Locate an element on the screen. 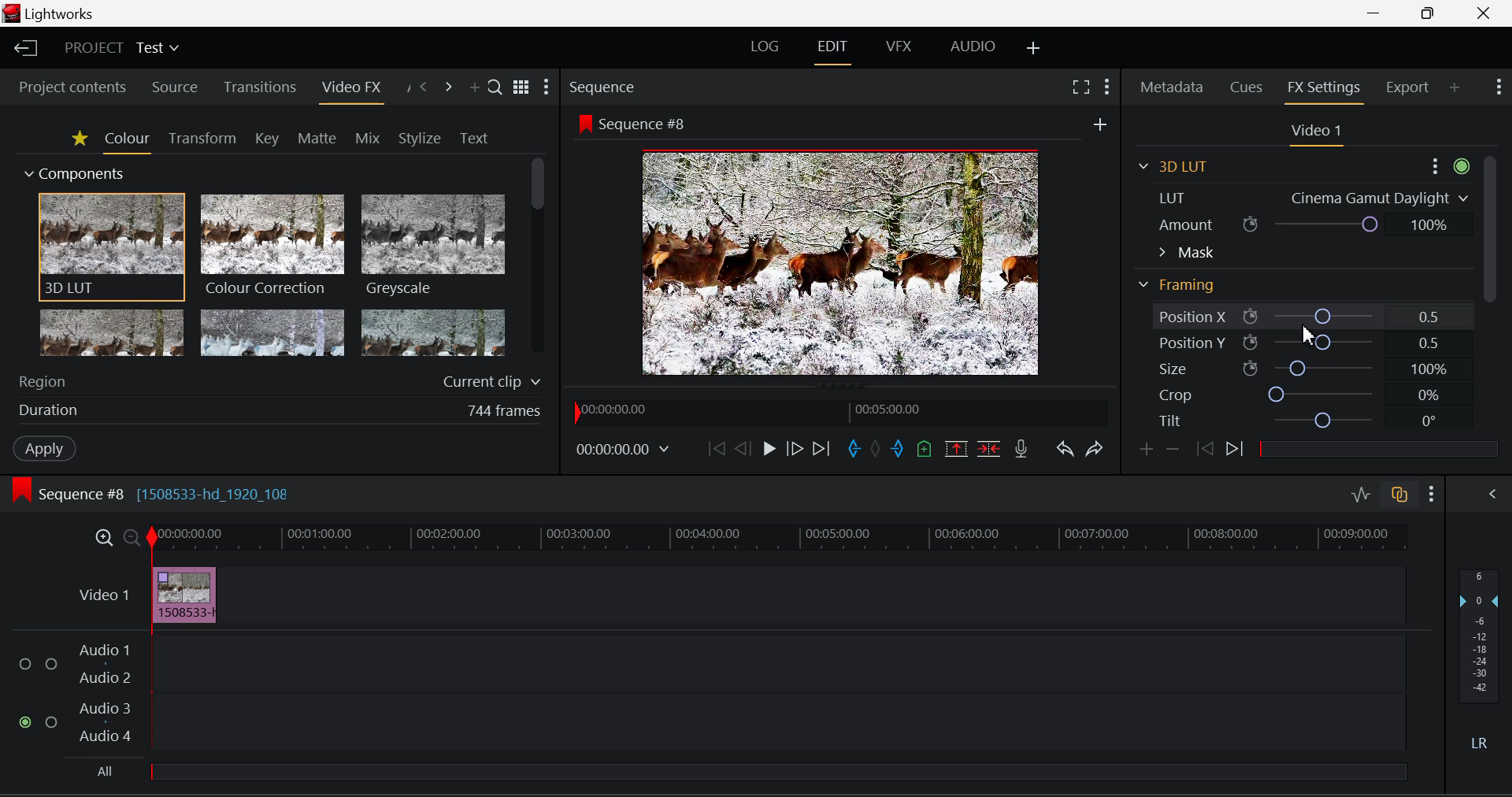  Full Screen is located at coordinates (1080, 86).